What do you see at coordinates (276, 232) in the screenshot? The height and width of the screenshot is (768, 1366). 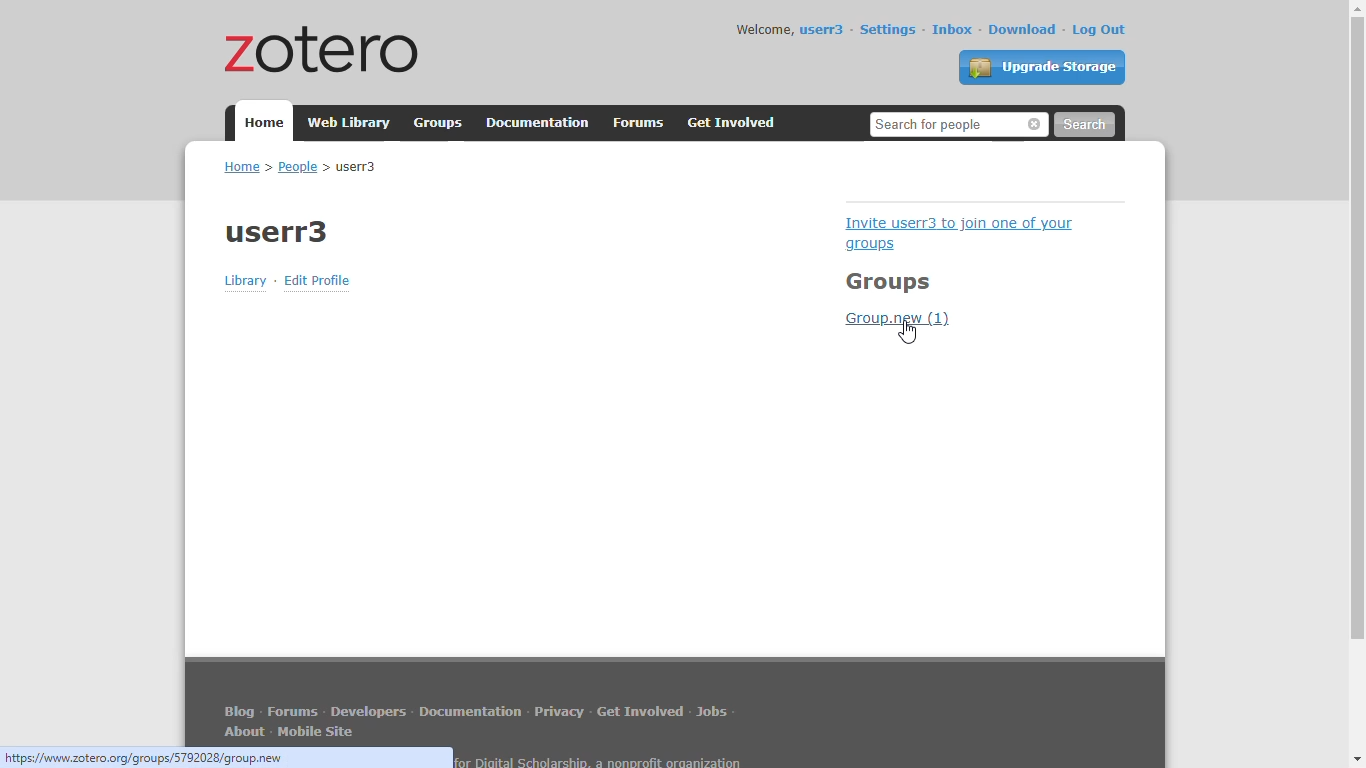 I see `profile name` at bounding box center [276, 232].